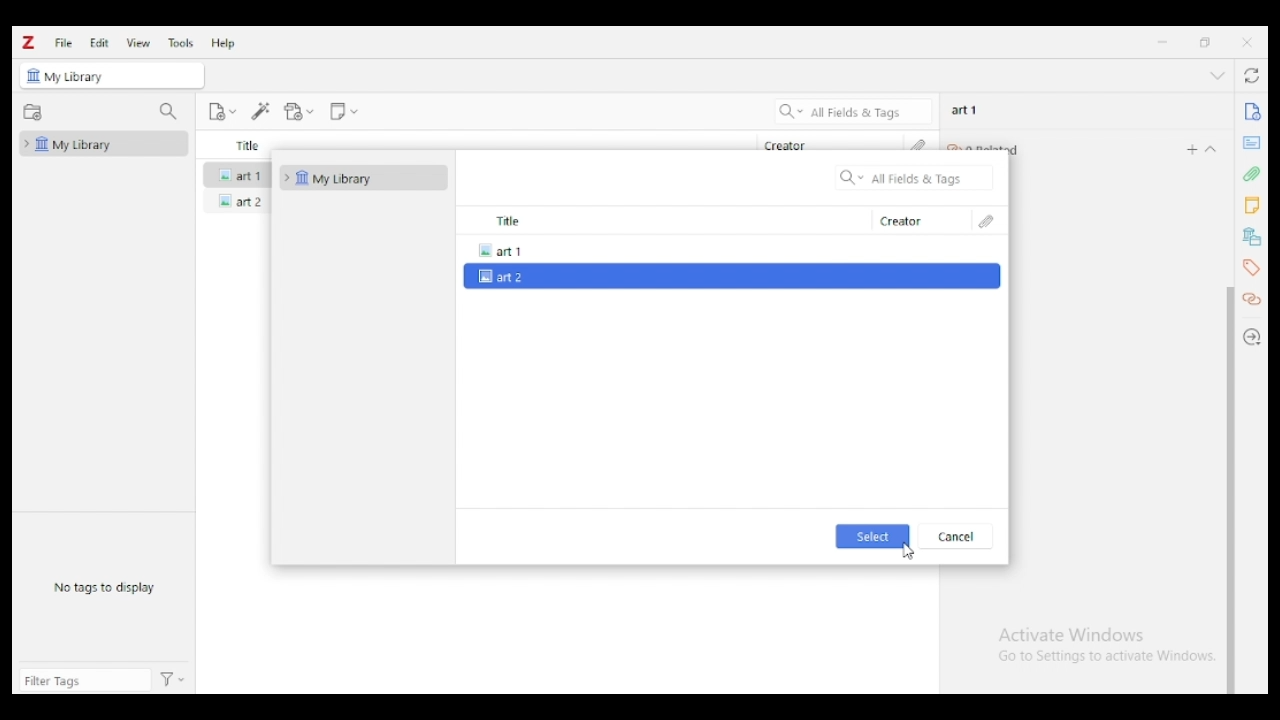  I want to click on art 2, so click(237, 201).